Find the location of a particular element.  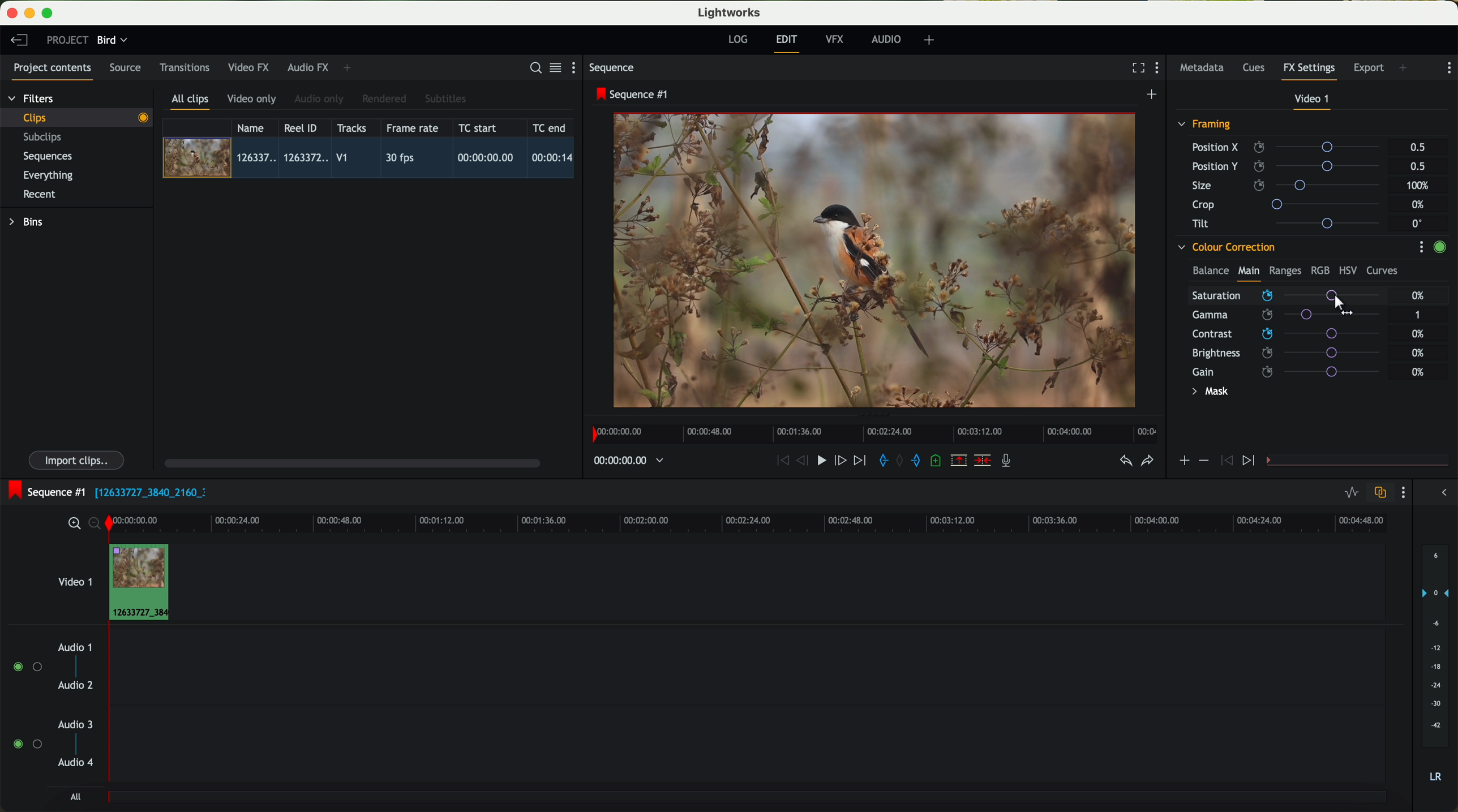

icon is located at coordinates (1203, 461).